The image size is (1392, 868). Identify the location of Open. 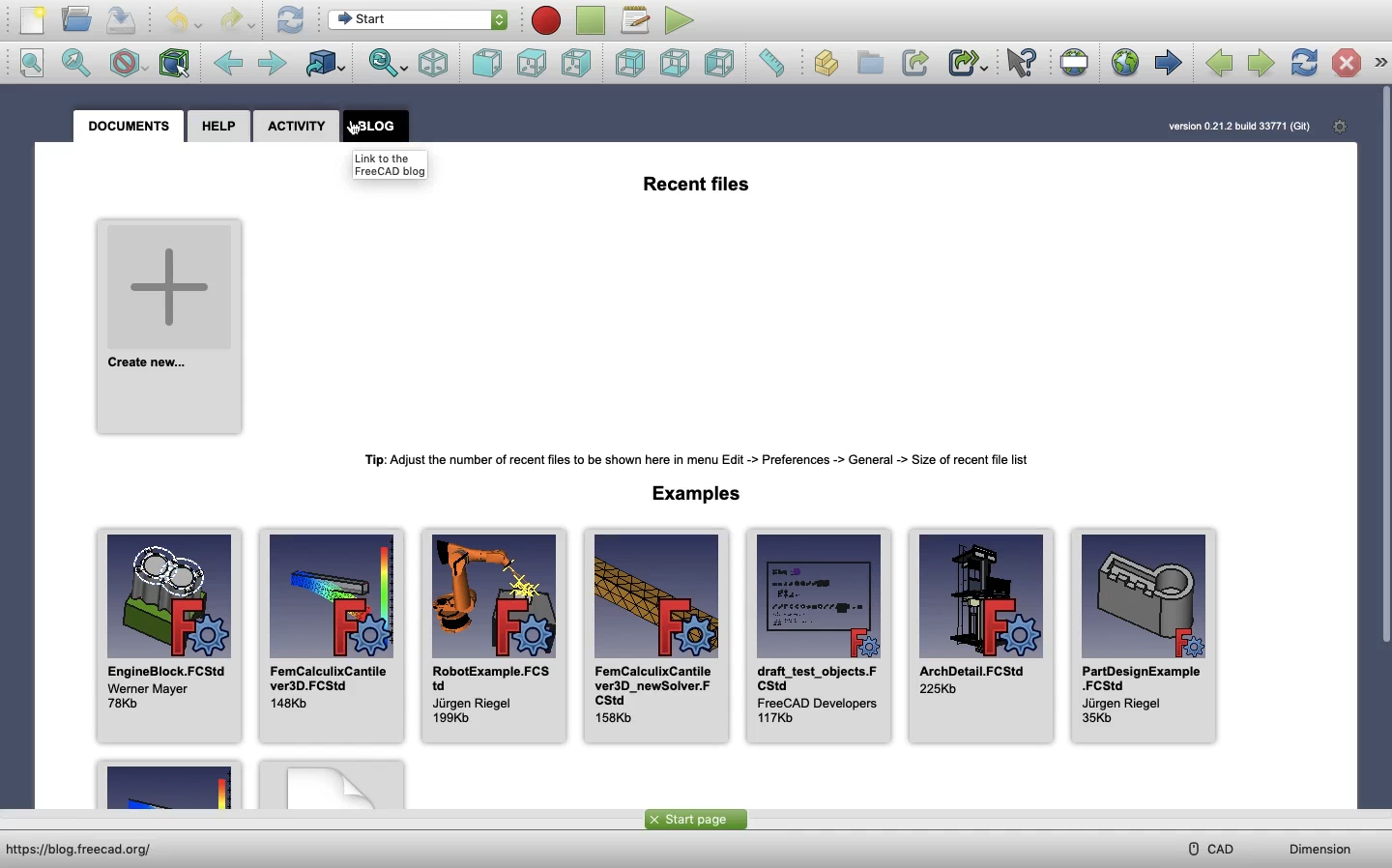
(76, 19).